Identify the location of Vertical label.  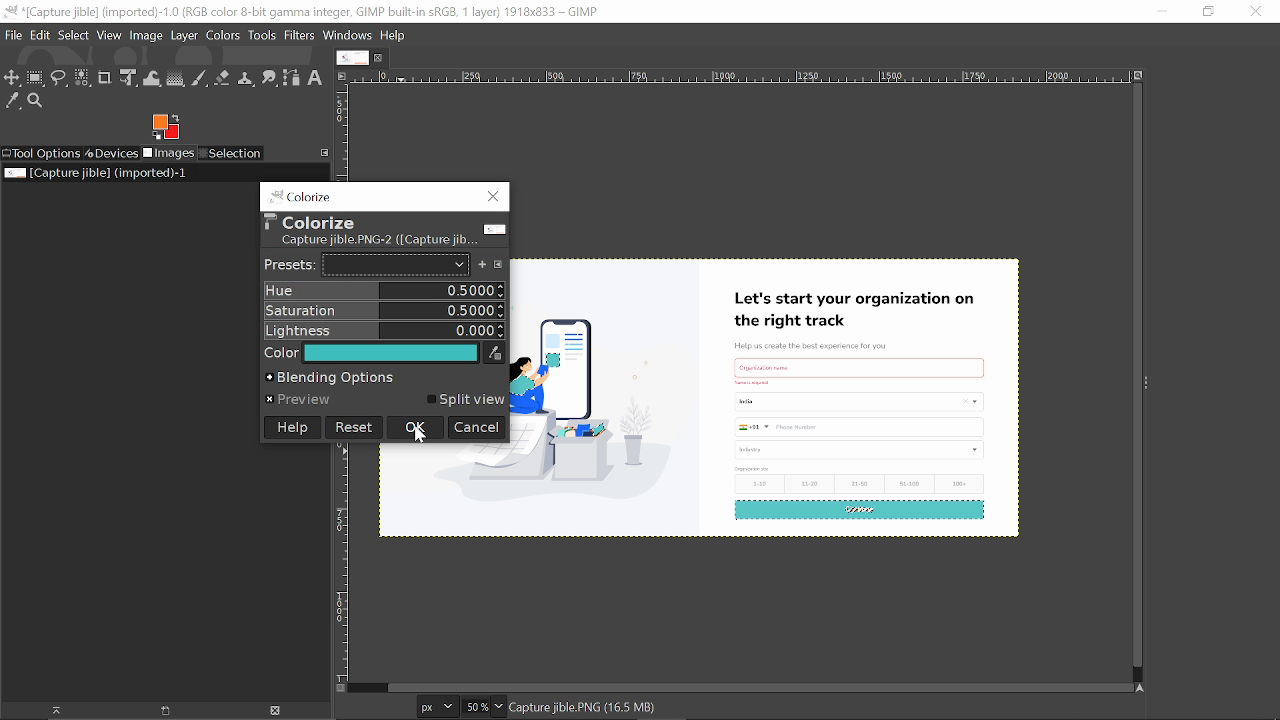
(346, 560).